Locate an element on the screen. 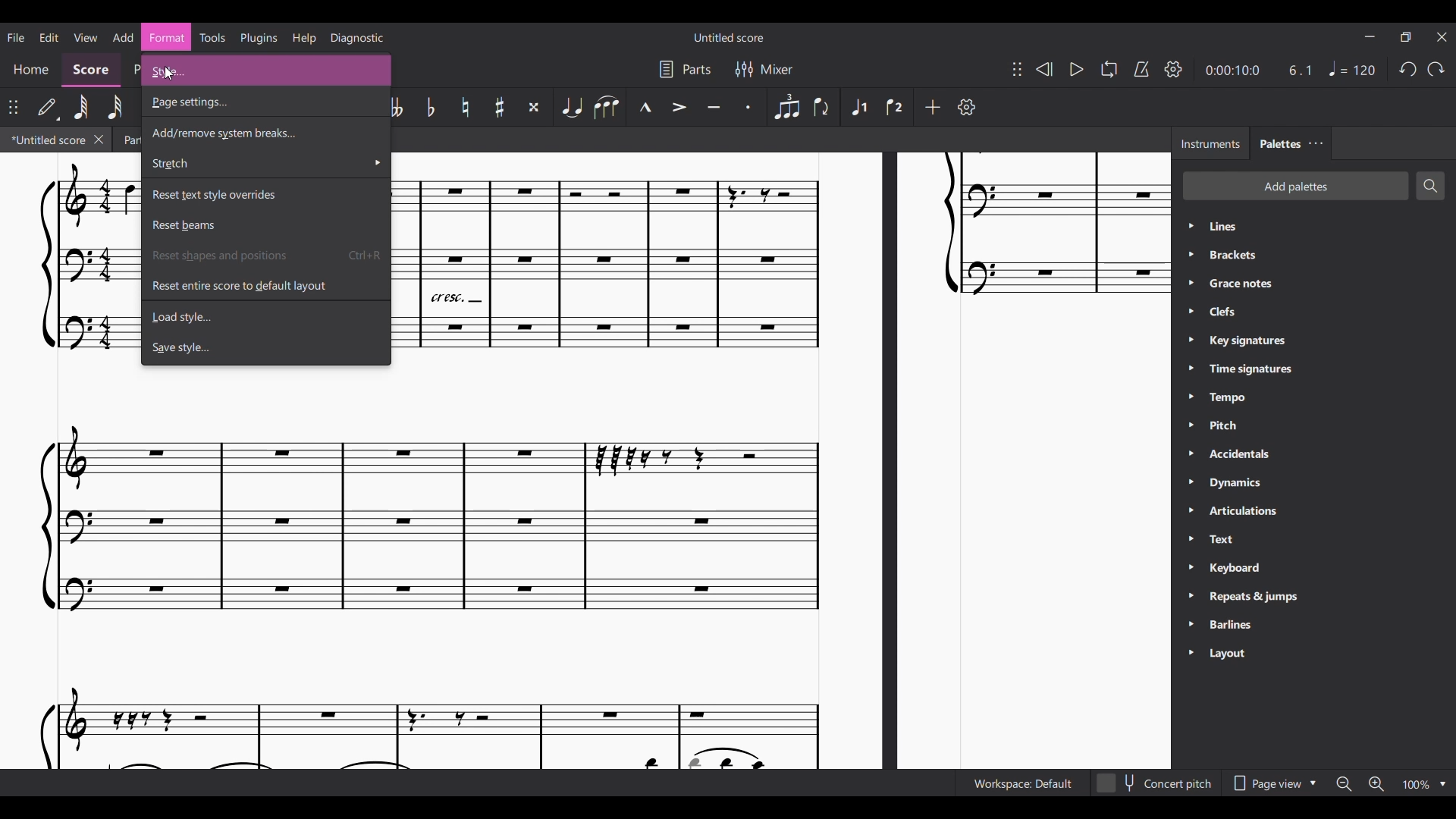 The image size is (1456, 819). Play is located at coordinates (1076, 70).